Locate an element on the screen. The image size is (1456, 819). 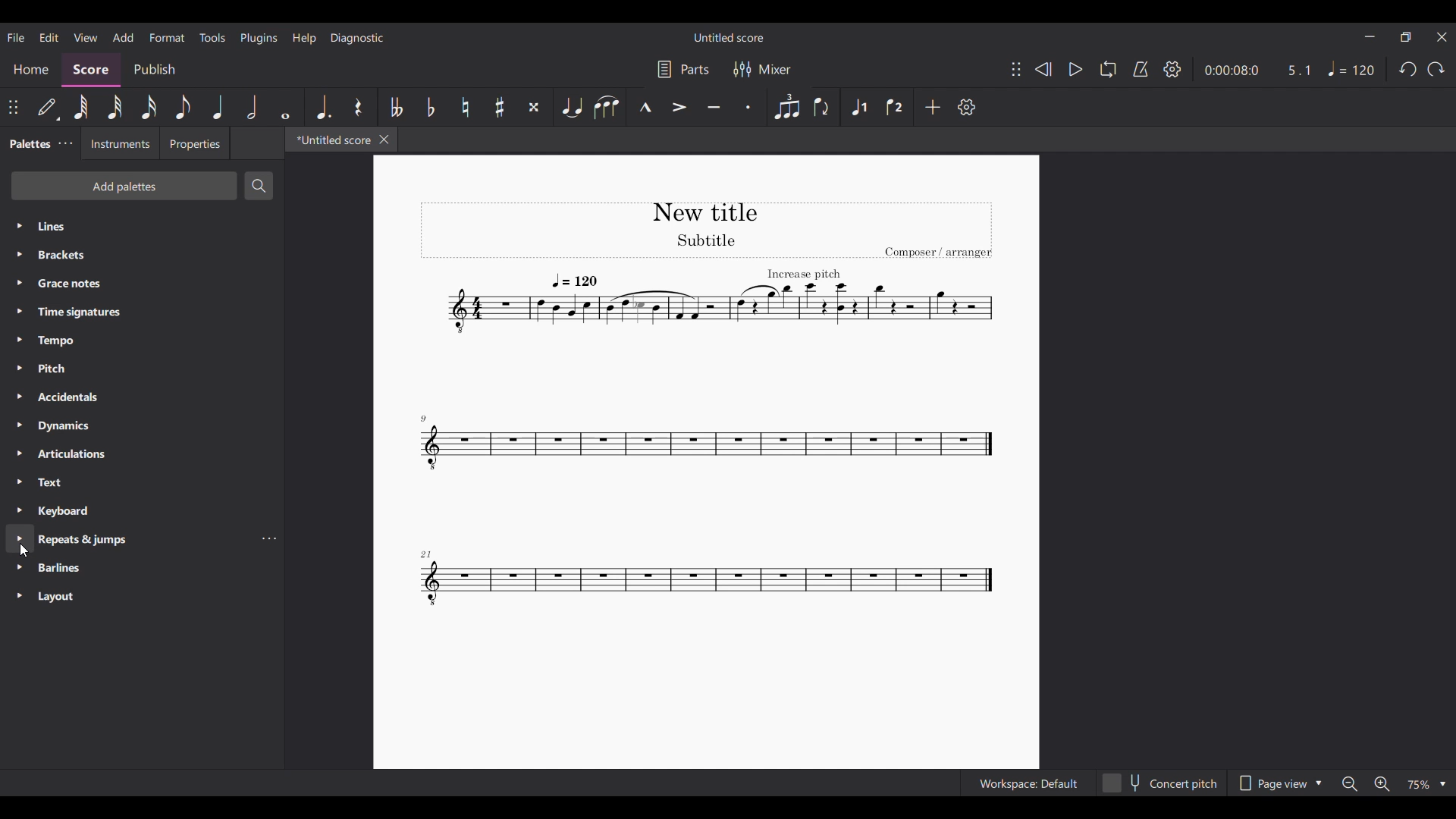
Barlines is located at coordinates (142, 568).